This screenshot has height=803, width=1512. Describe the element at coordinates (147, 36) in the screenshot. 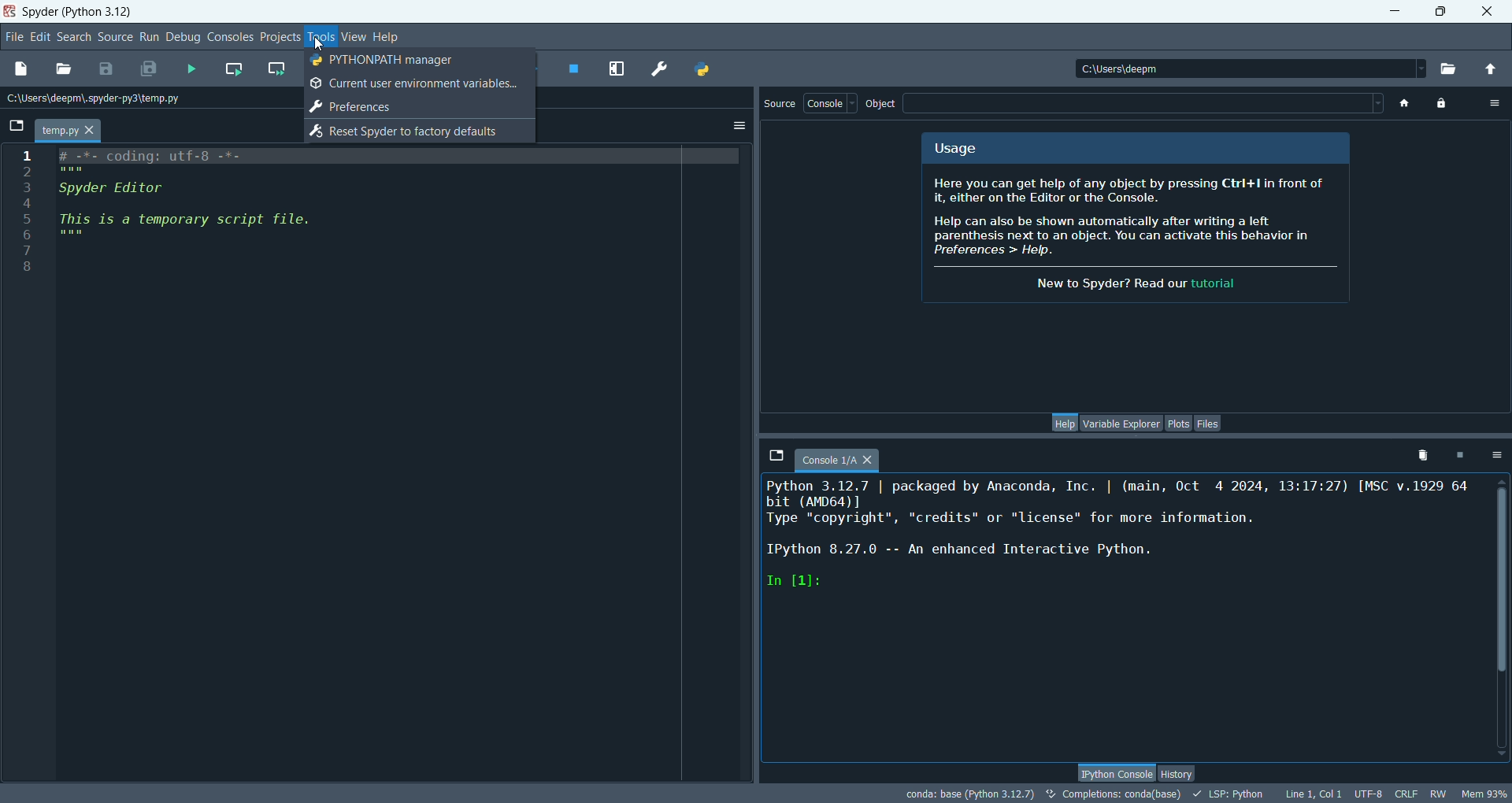

I see `run` at that location.